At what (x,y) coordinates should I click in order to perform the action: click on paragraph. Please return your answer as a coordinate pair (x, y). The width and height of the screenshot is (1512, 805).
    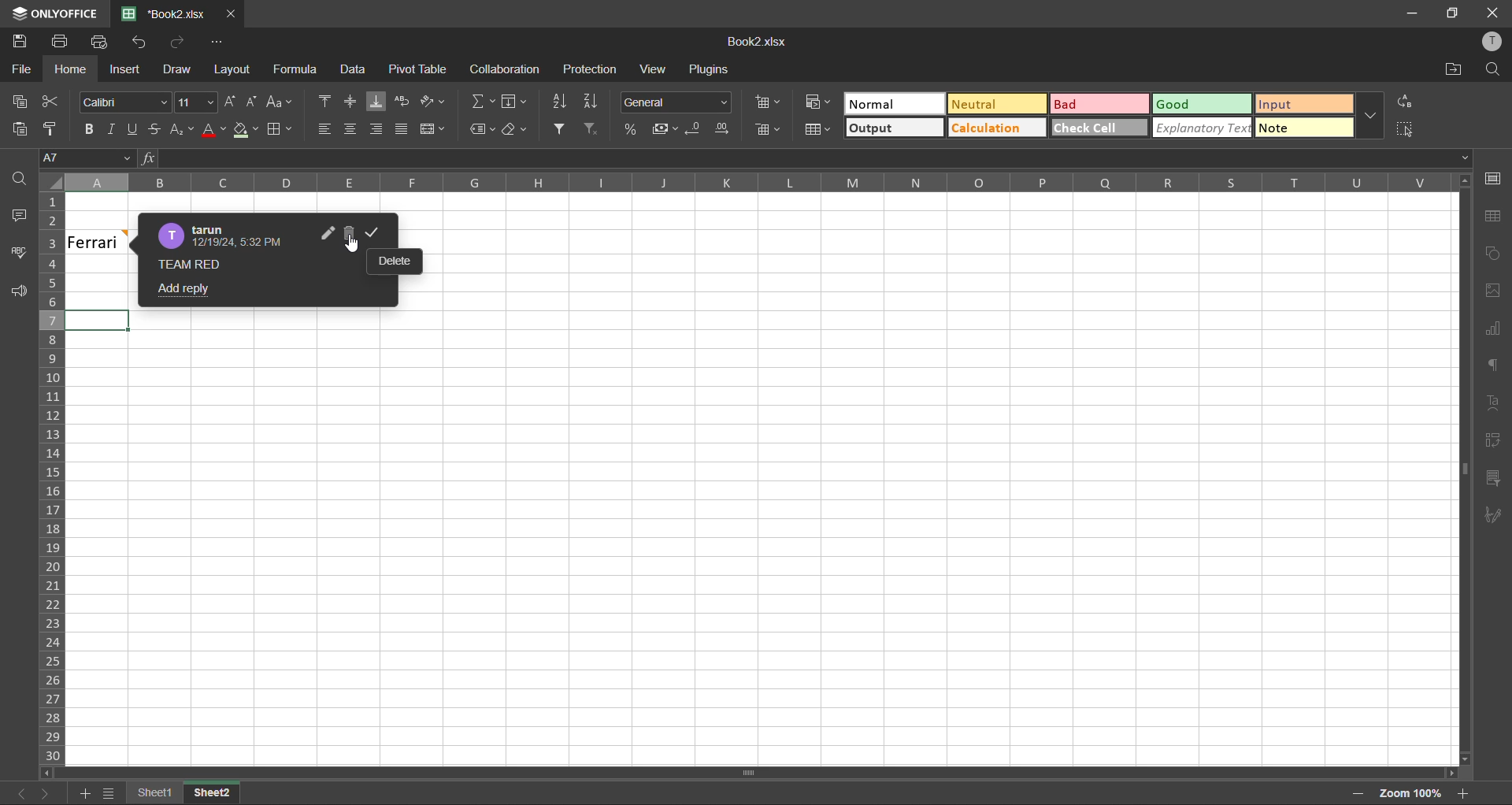
    Looking at the image, I should click on (1492, 366).